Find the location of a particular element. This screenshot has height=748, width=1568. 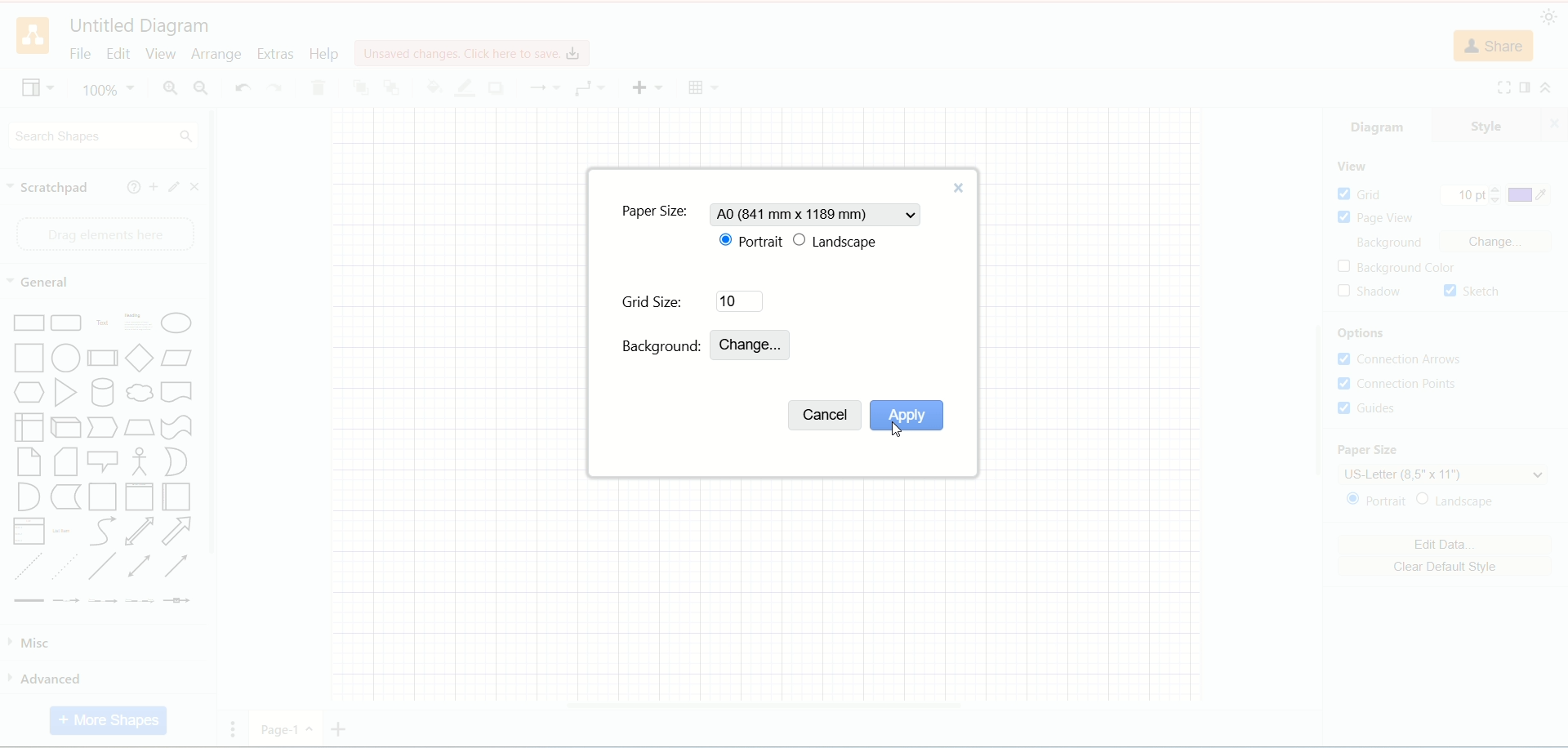

Ellipse is located at coordinates (177, 326).